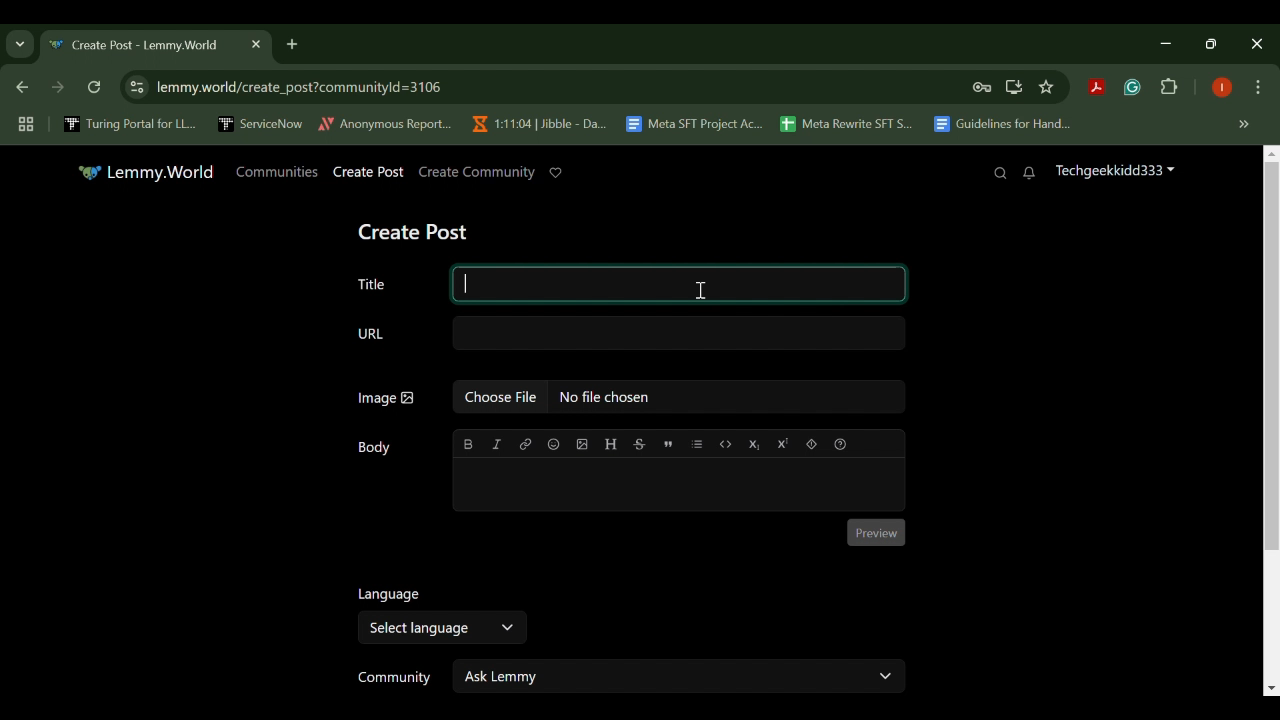 Image resolution: width=1280 pixels, height=720 pixels. Describe the element at coordinates (1214, 43) in the screenshot. I see `Minimize Window` at that location.